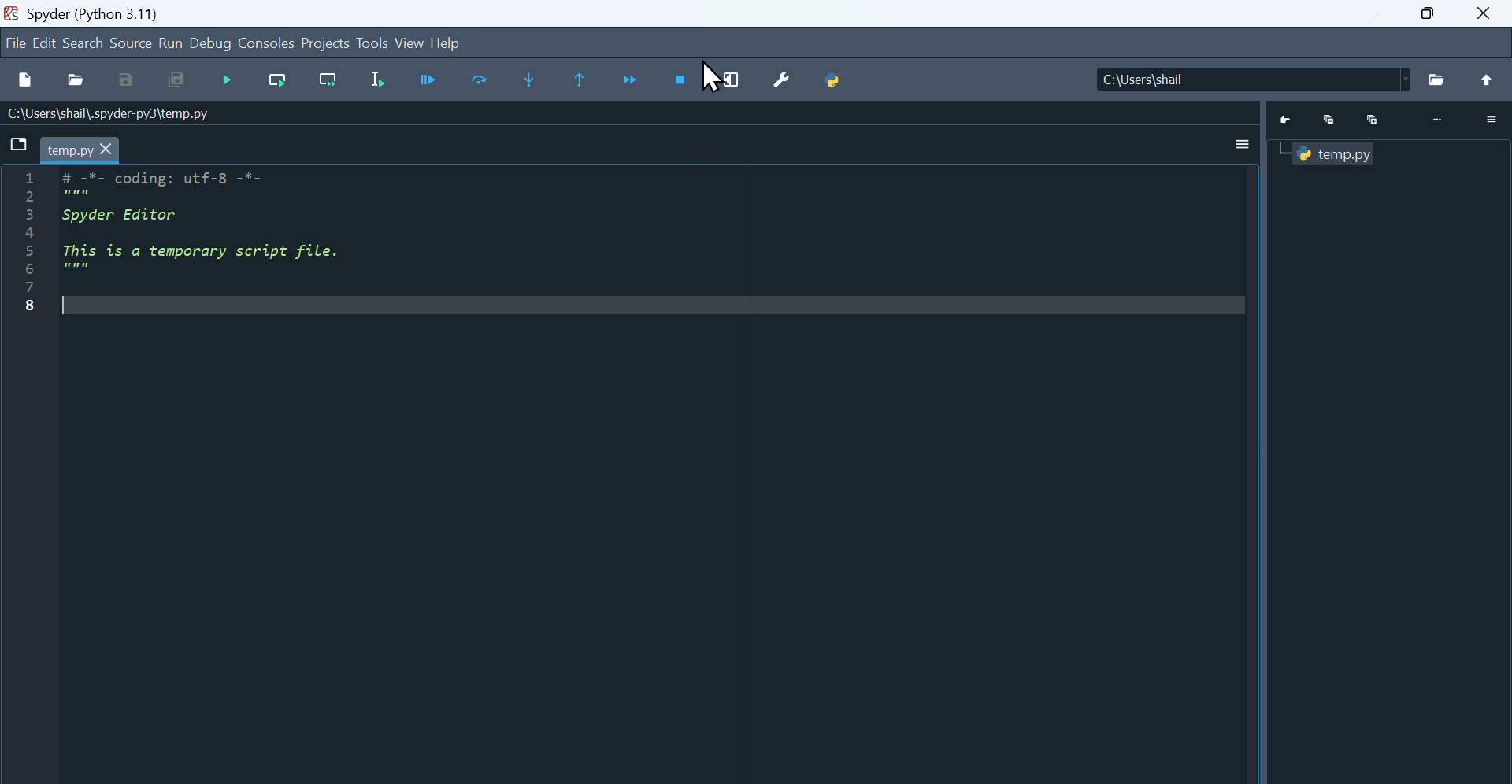 This screenshot has width=1512, height=784. What do you see at coordinates (125, 82) in the screenshot?
I see `save` at bounding box center [125, 82].